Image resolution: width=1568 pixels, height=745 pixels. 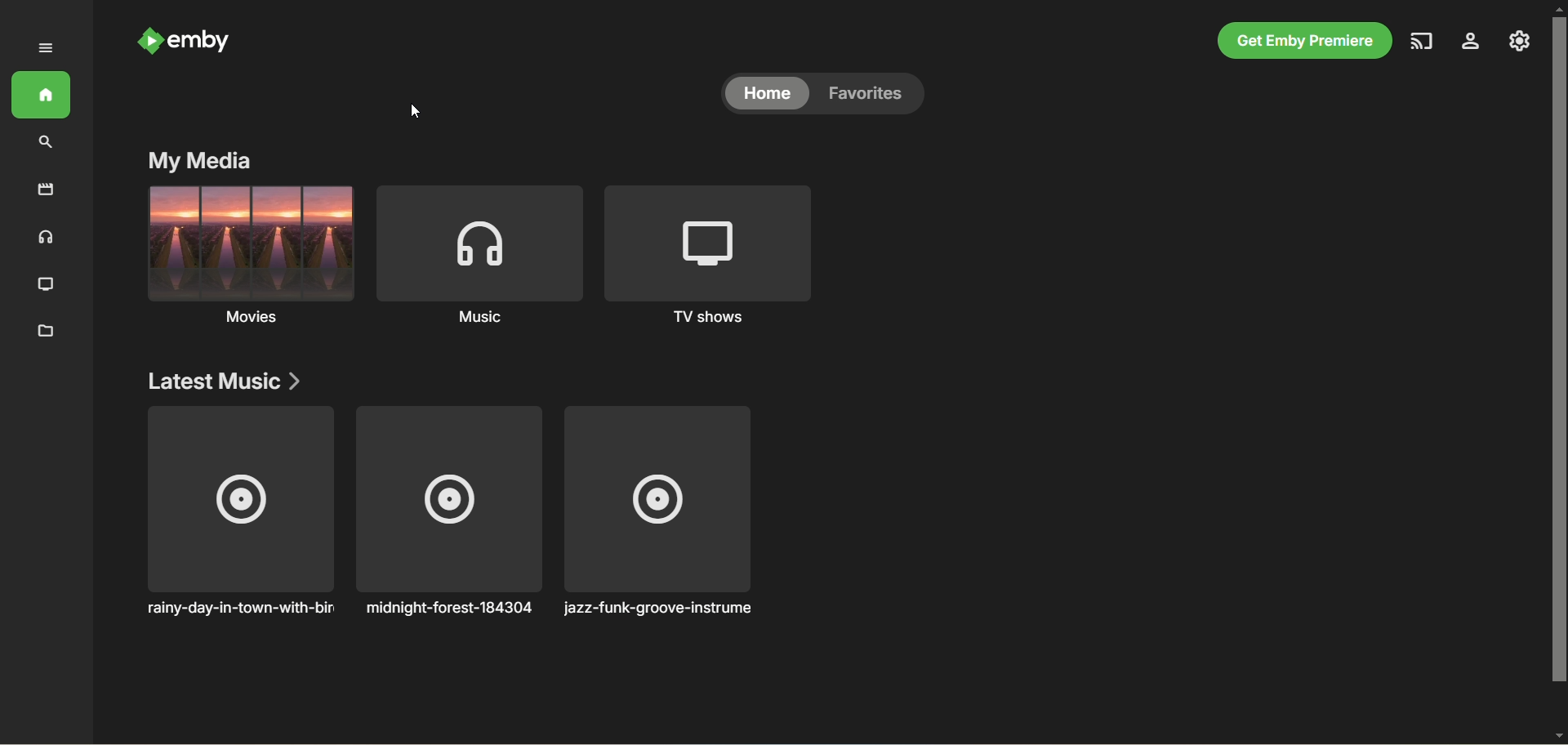 I want to click on movies, so click(x=43, y=190).